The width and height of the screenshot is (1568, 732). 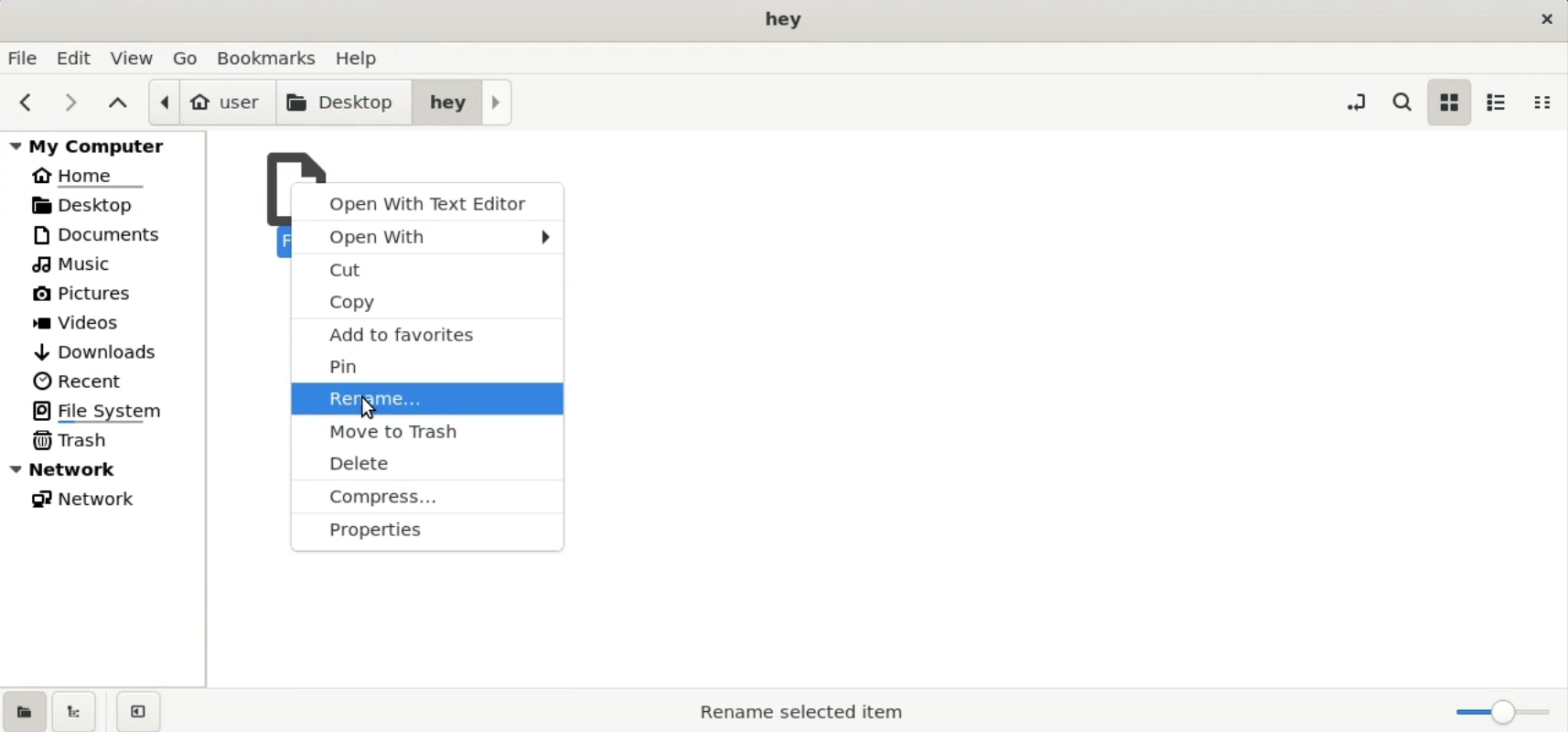 What do you see at coordinates (91, 297) in the screenshot?
I see `pictures` at bounding box center [91, 297].